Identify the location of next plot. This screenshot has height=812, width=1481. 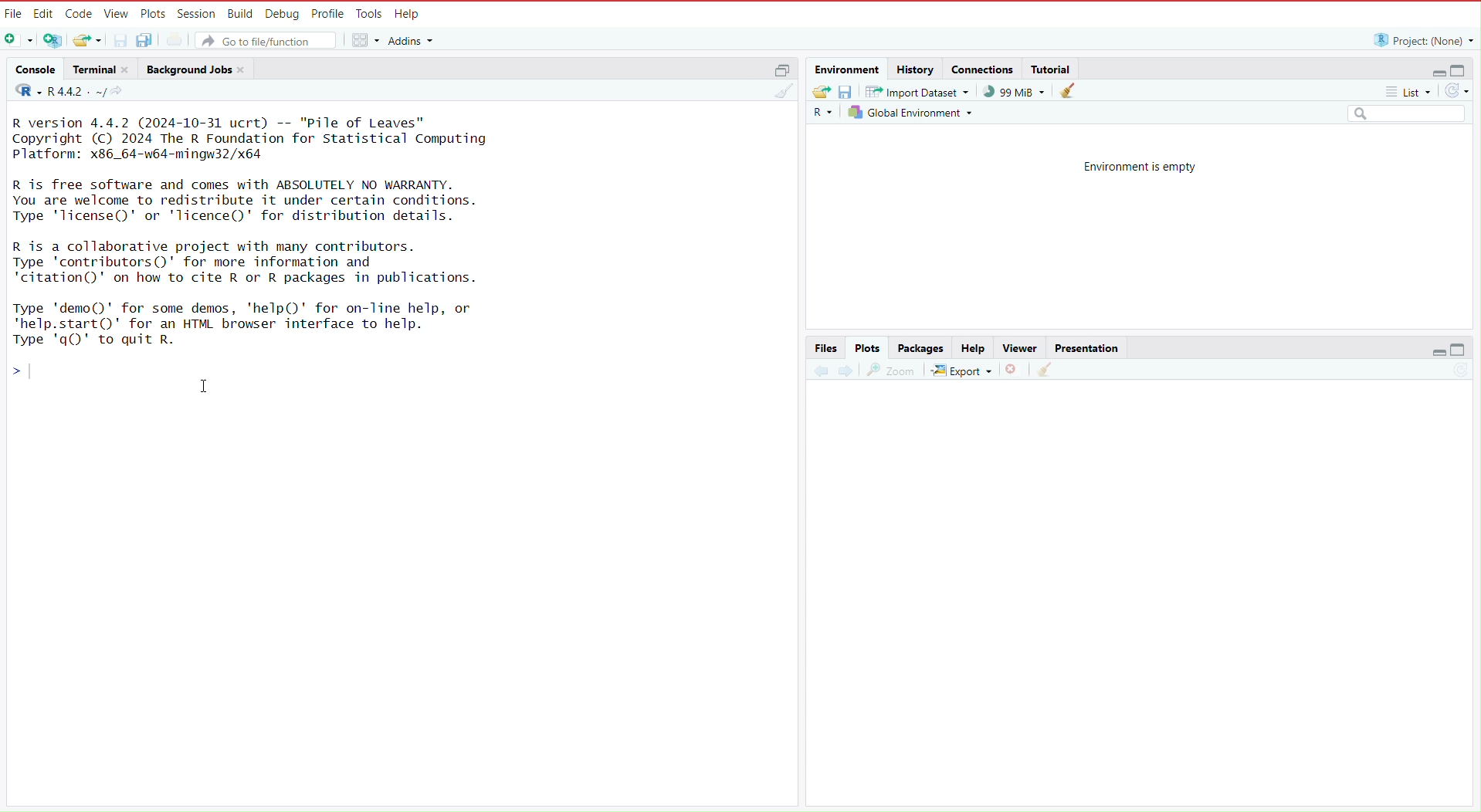
(846, 371).